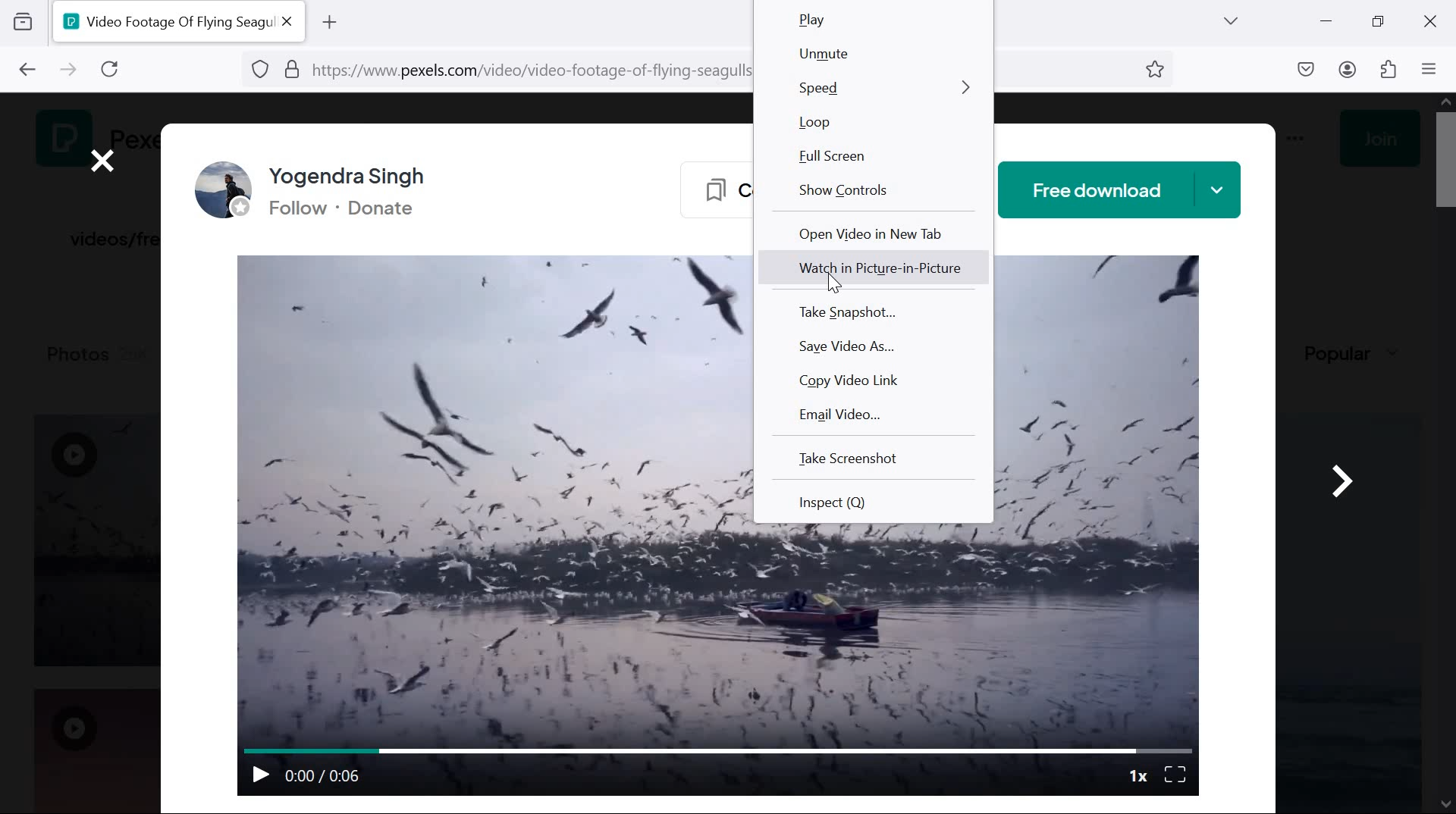 The image size is (1456, 814). Describe the element at coordinates (115, 70) in the screenshot. I see `reload` at that location.